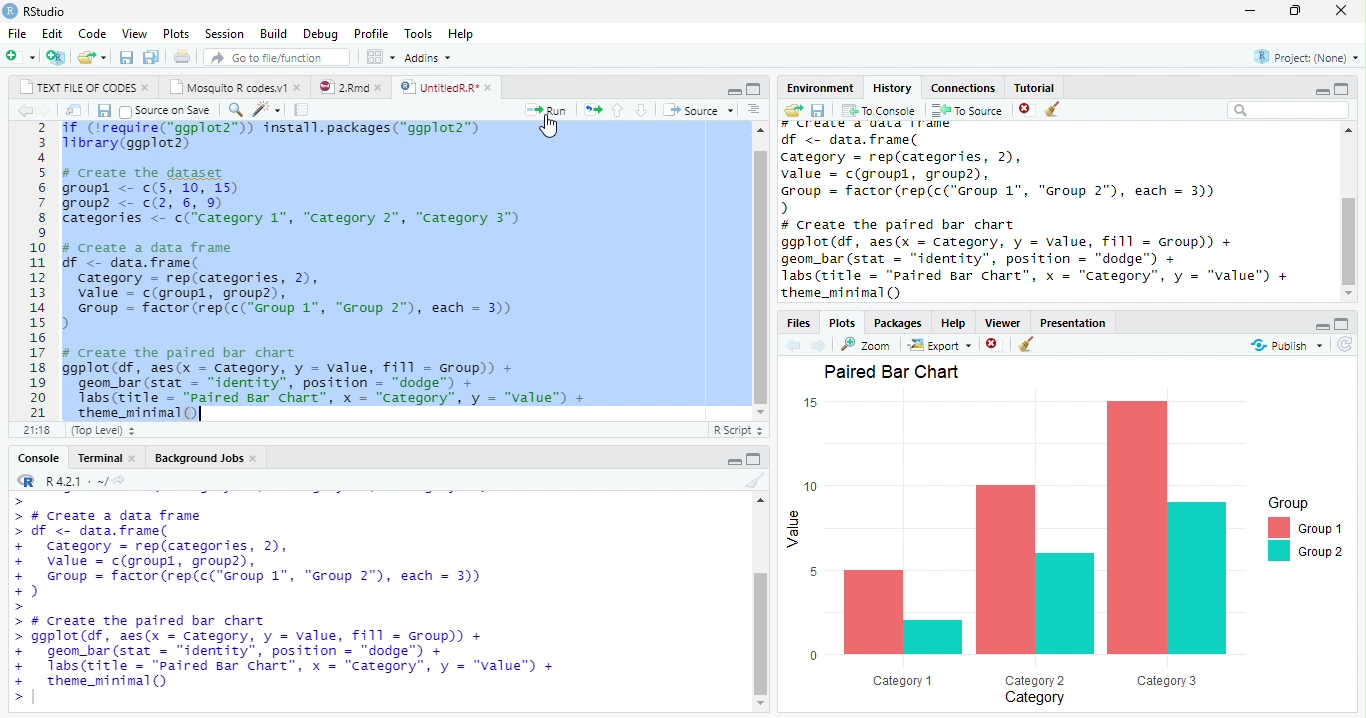 The width and height of the screenshot is (1366, 718). What do you see at coordinates (754, 482) in the screenshot?
I see `clear console` at bounding box center [754, 482].